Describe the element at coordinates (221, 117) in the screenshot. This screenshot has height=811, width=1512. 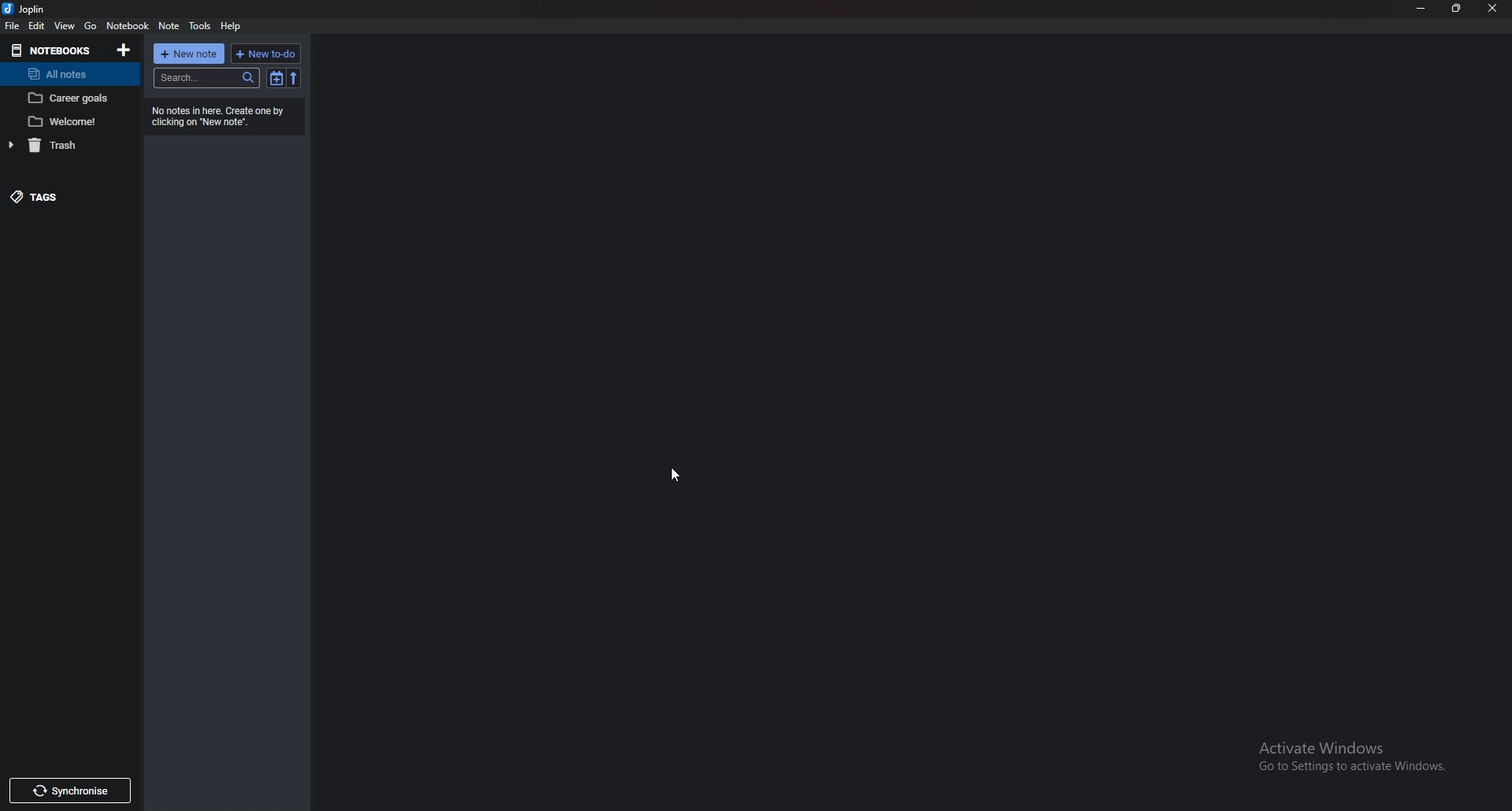
I see `info` at that location.